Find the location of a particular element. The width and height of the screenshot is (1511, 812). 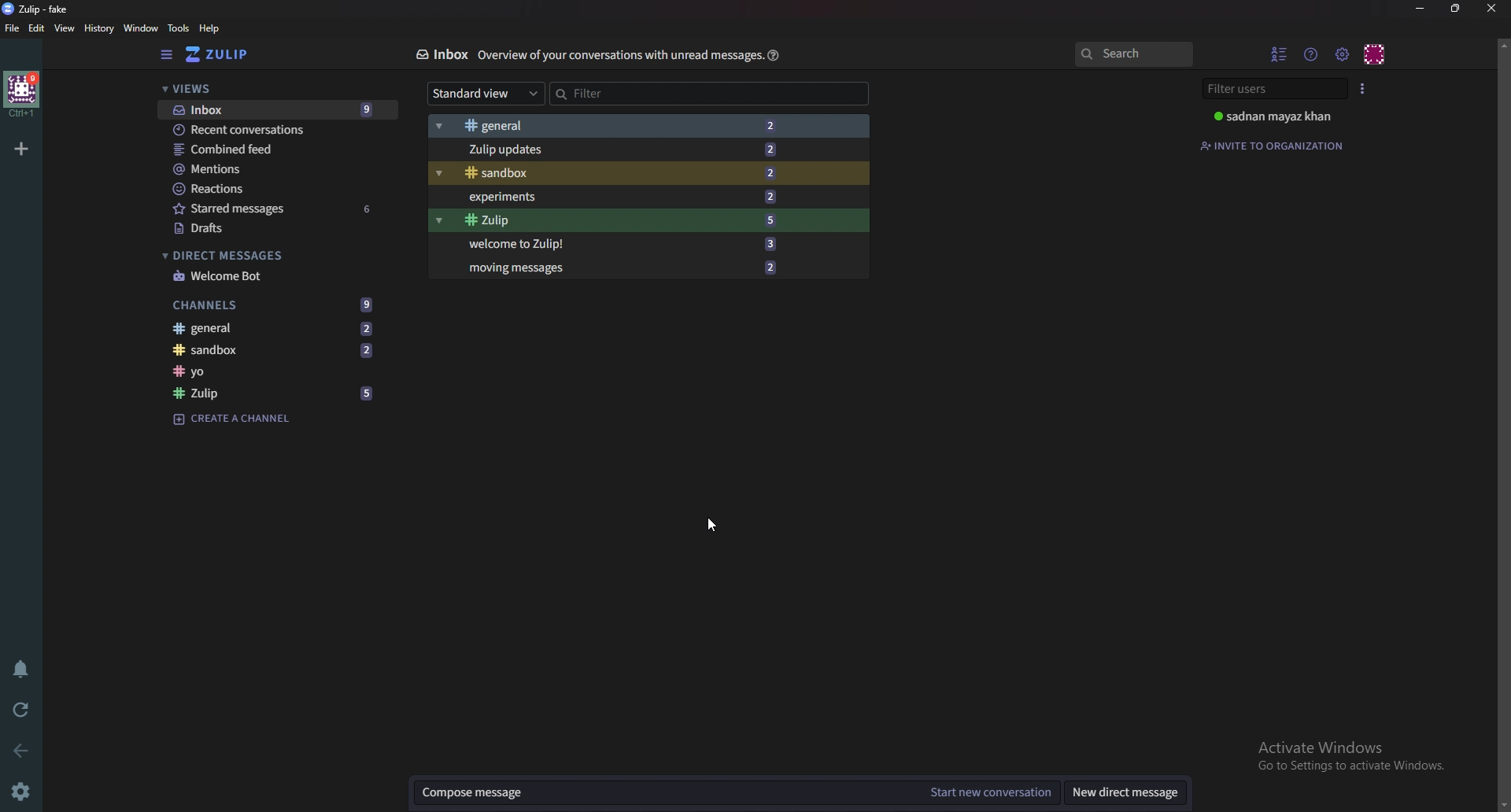

Edit is located at coordinates (37, 28).